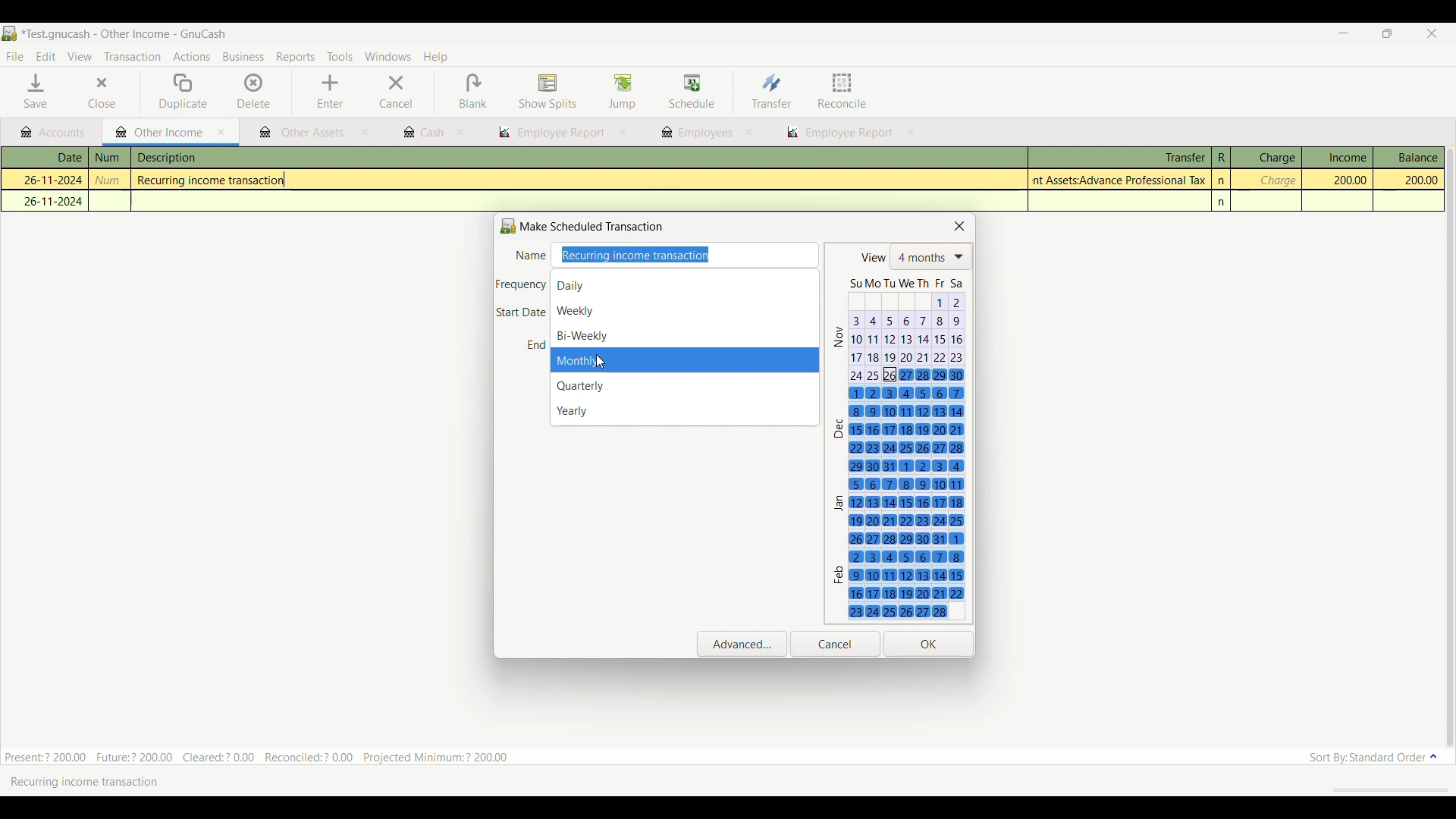 This screenshot has width=1456, height=819. I want to click on num, so click(109, 158).